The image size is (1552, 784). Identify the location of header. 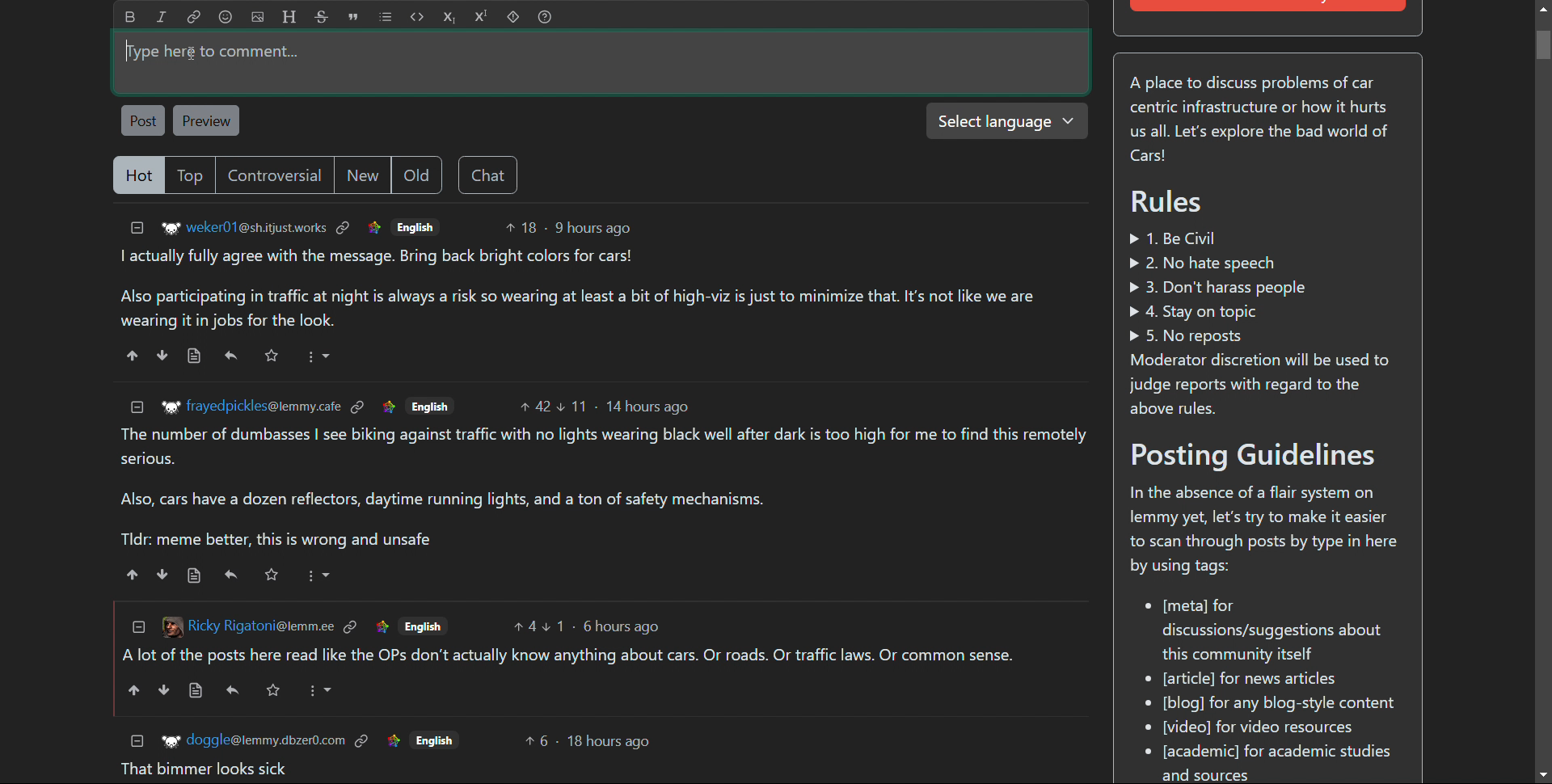
(288, 17).